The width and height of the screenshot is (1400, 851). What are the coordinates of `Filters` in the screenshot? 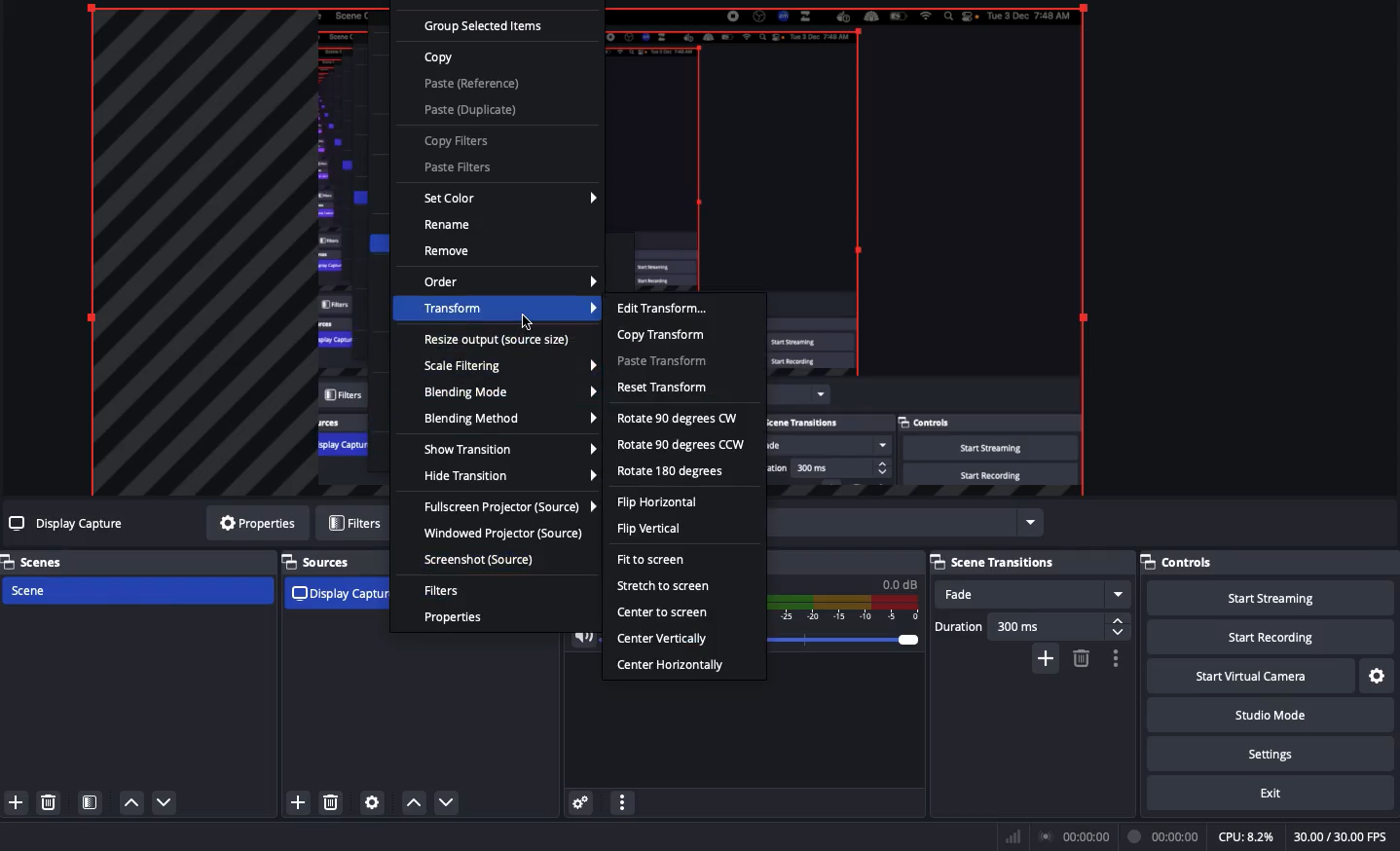 It's located at (447, 592).